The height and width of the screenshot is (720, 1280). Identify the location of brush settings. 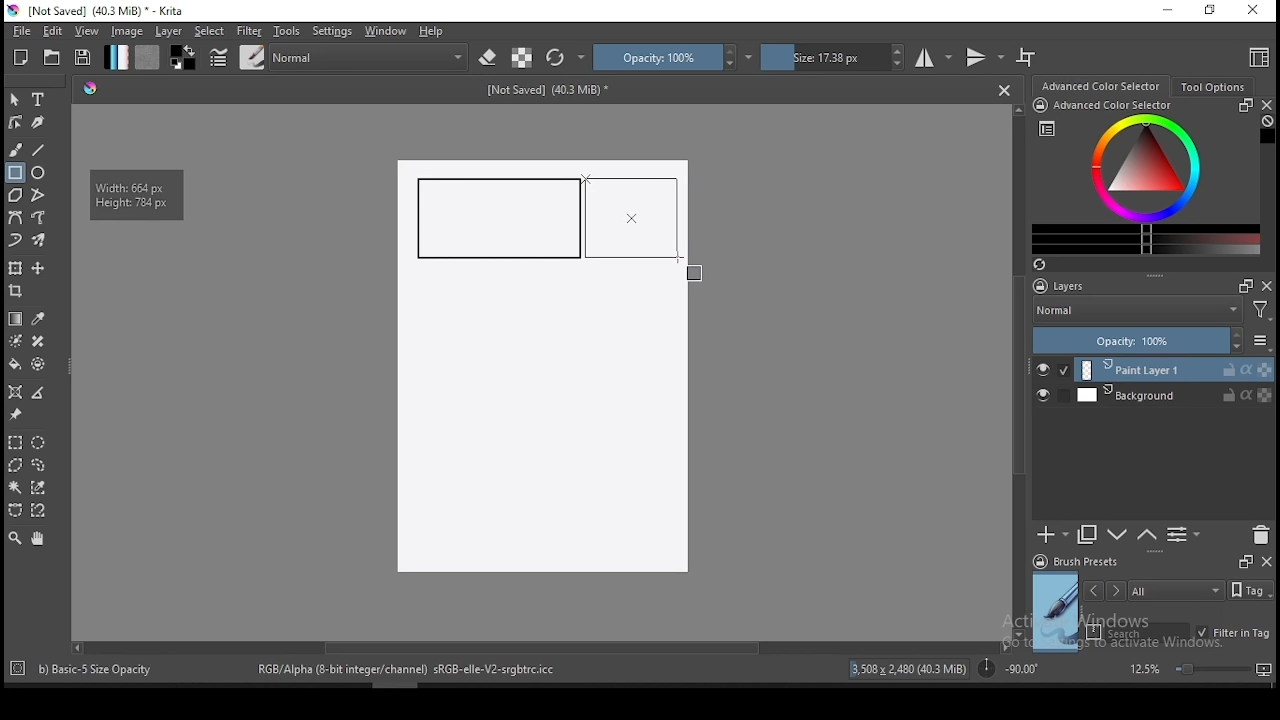
(217, 57).